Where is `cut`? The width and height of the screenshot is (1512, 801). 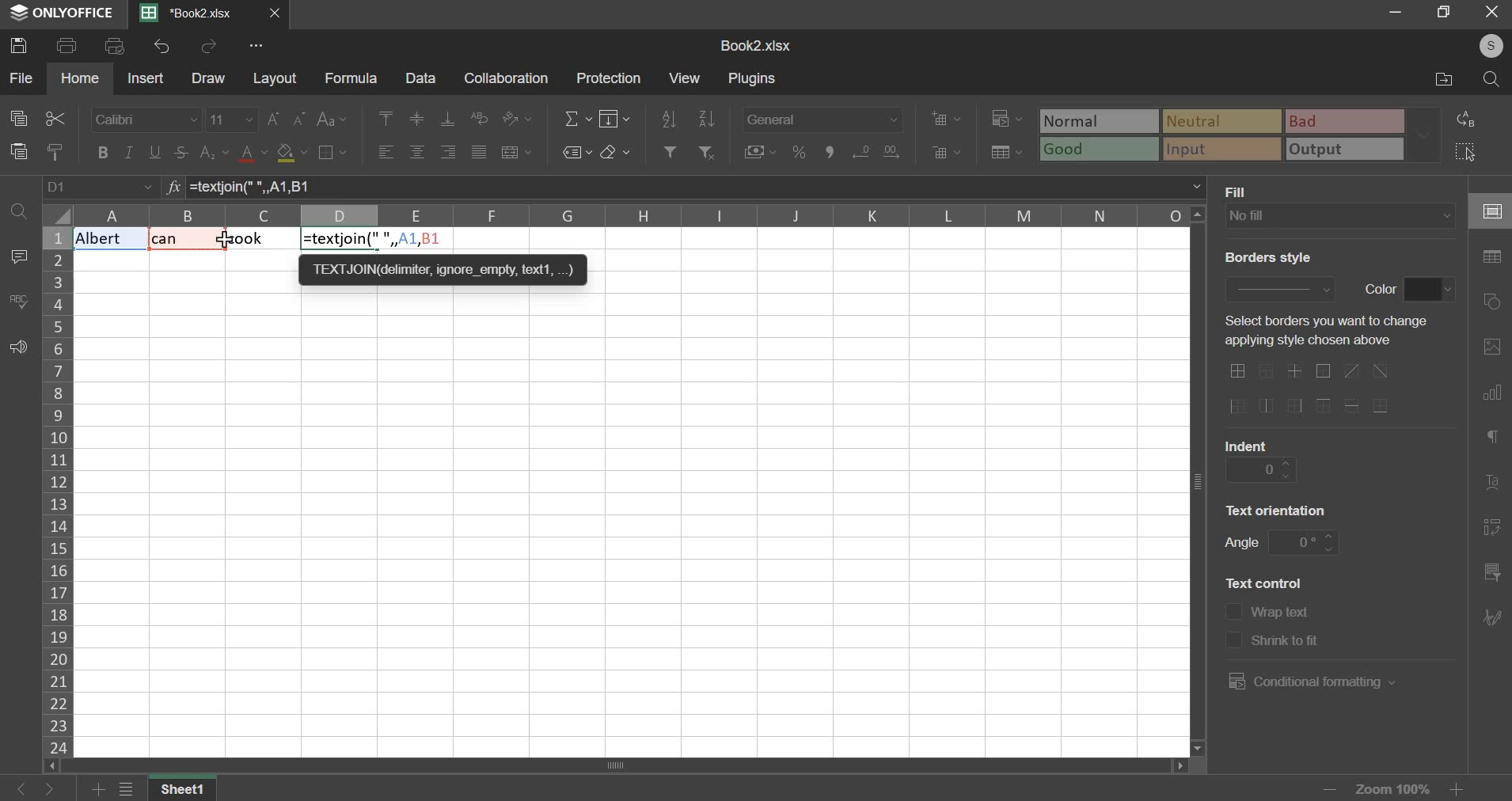 cut is located at coordinates (54, 119).